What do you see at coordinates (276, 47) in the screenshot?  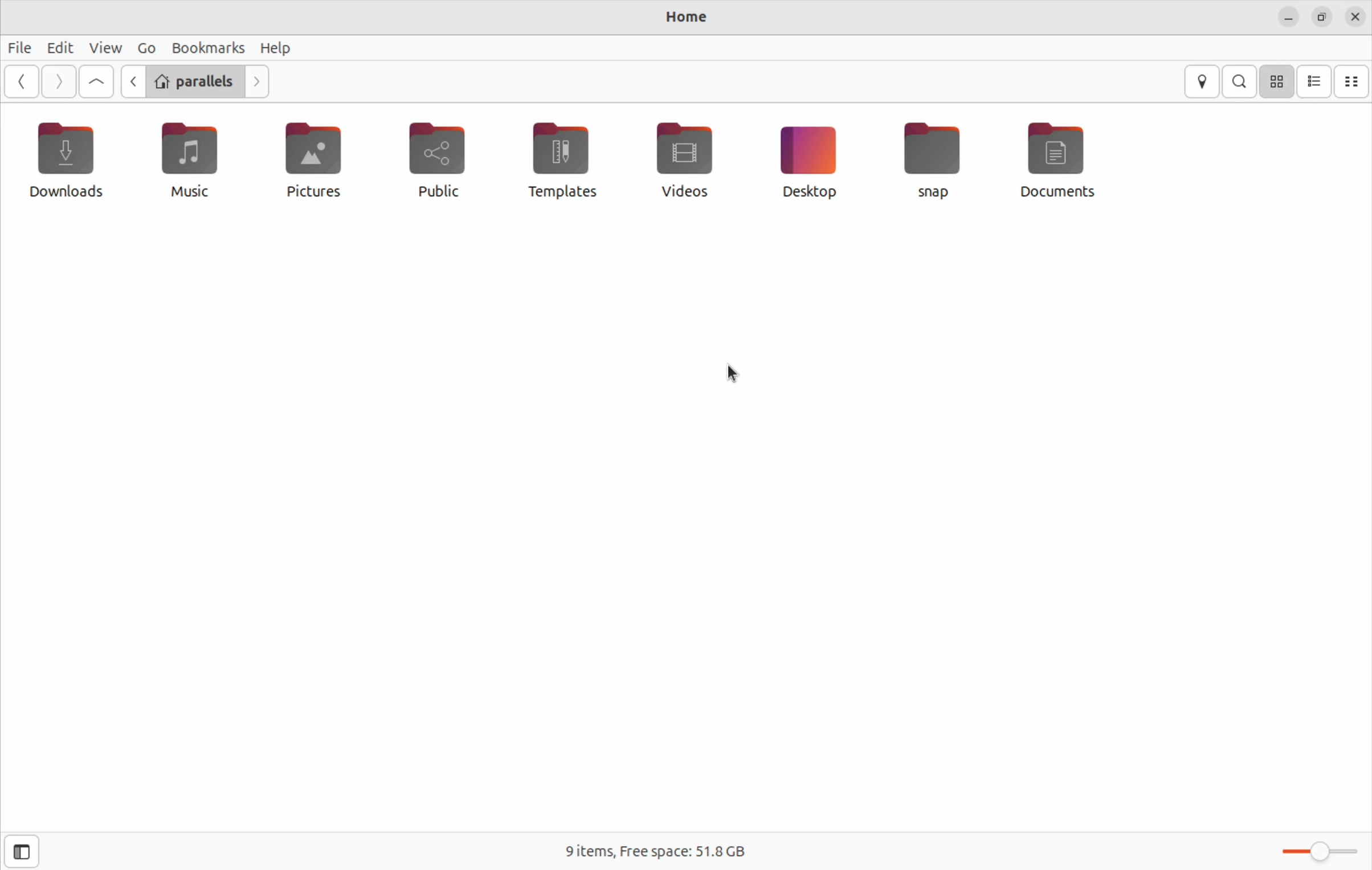 I see `Help` at bounding box center [276, 47].